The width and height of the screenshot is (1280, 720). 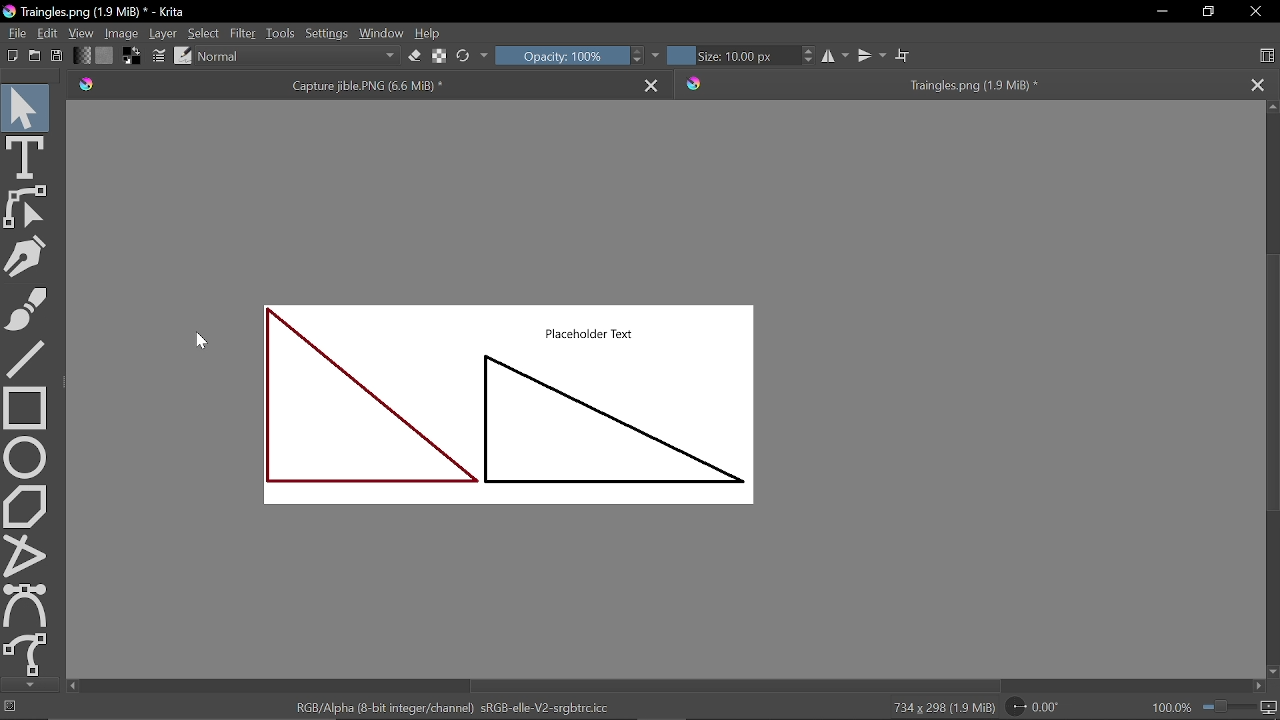 What do you see at coordinates (1214, 706) in the screenshot?
I see `100.0%` at bounding box center [1214, 706].